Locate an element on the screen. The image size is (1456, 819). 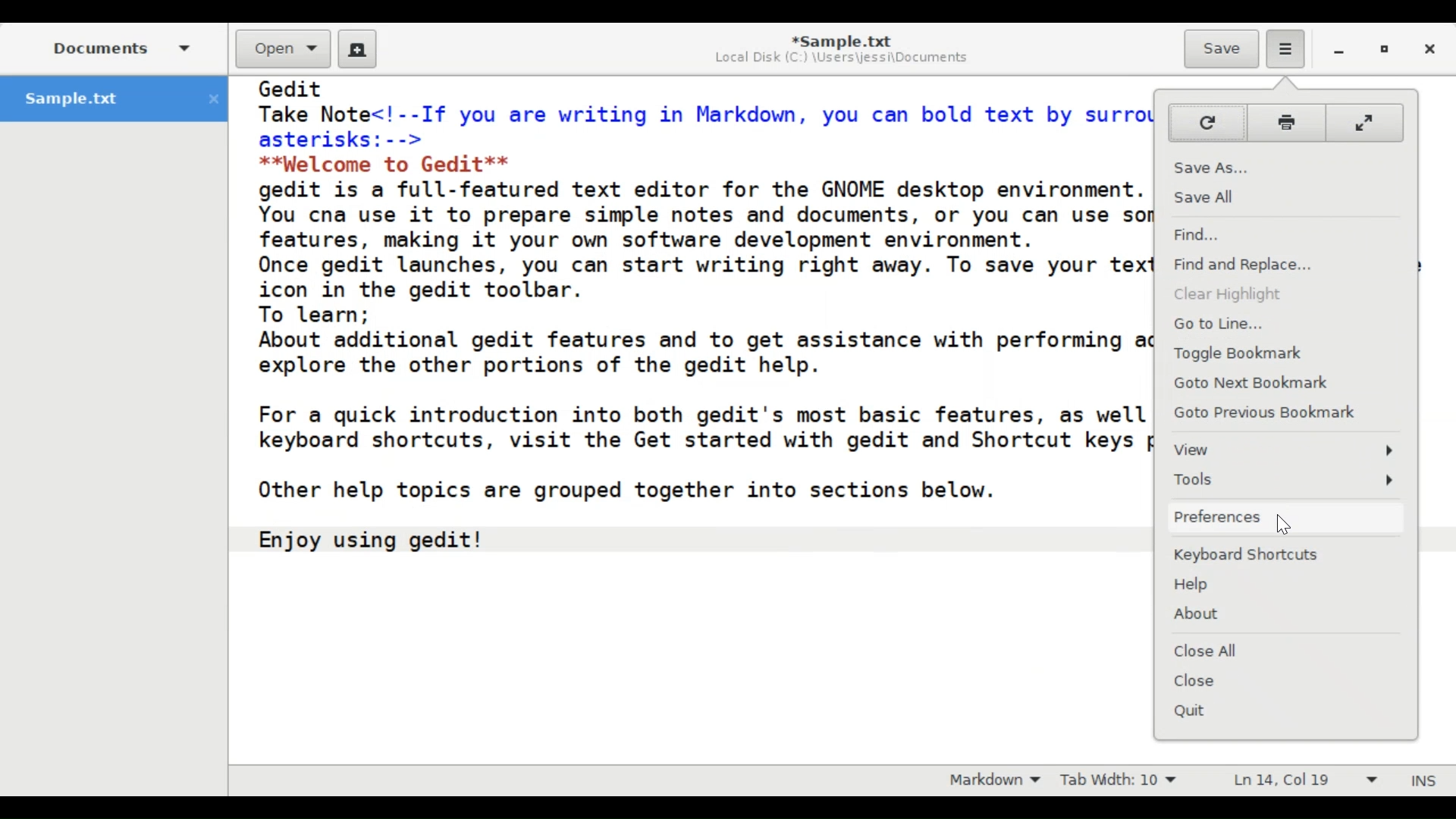
Reload is located at coordinates (1205, 124).